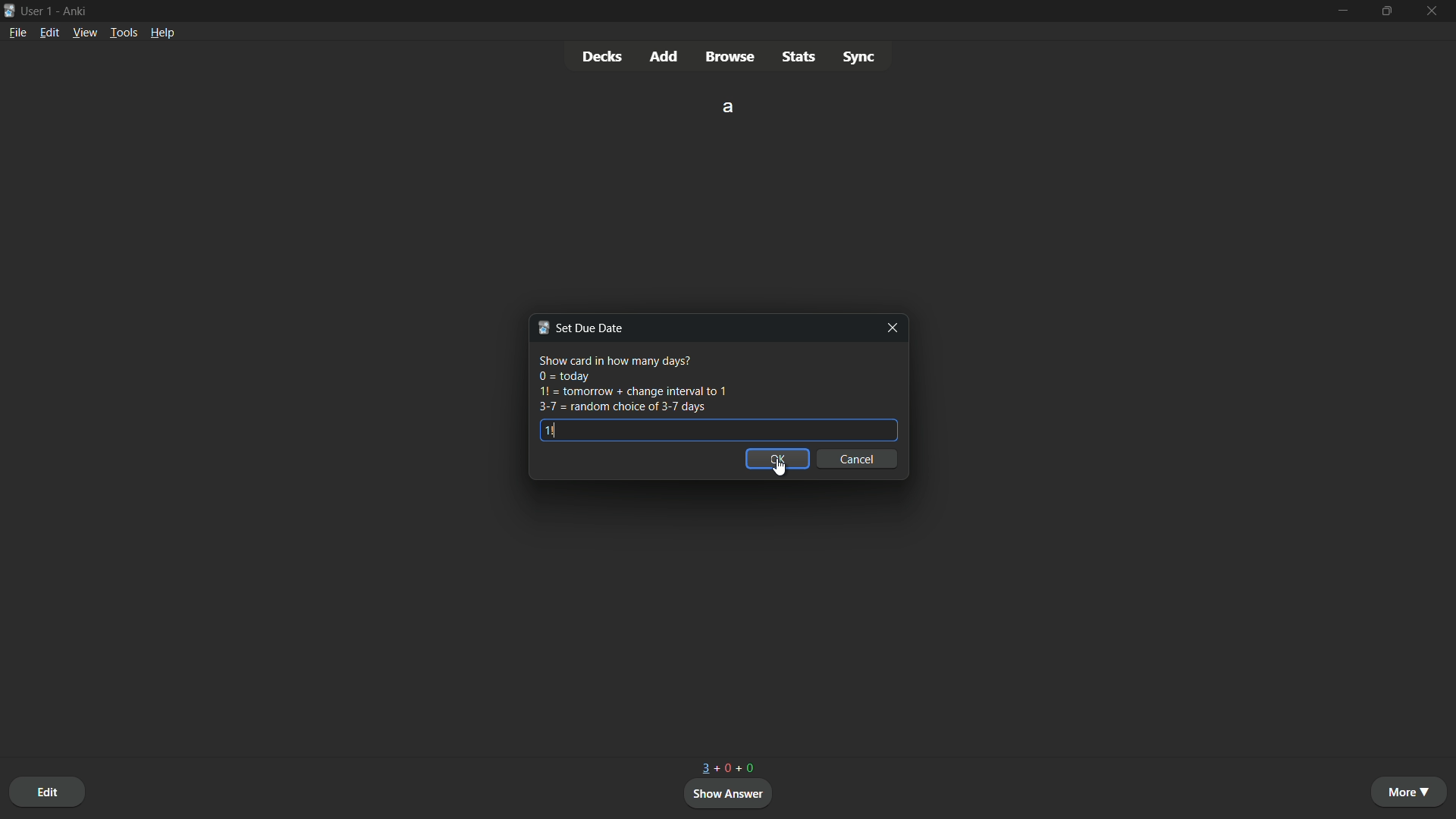  I want to click on show answer, so click(730, 794).